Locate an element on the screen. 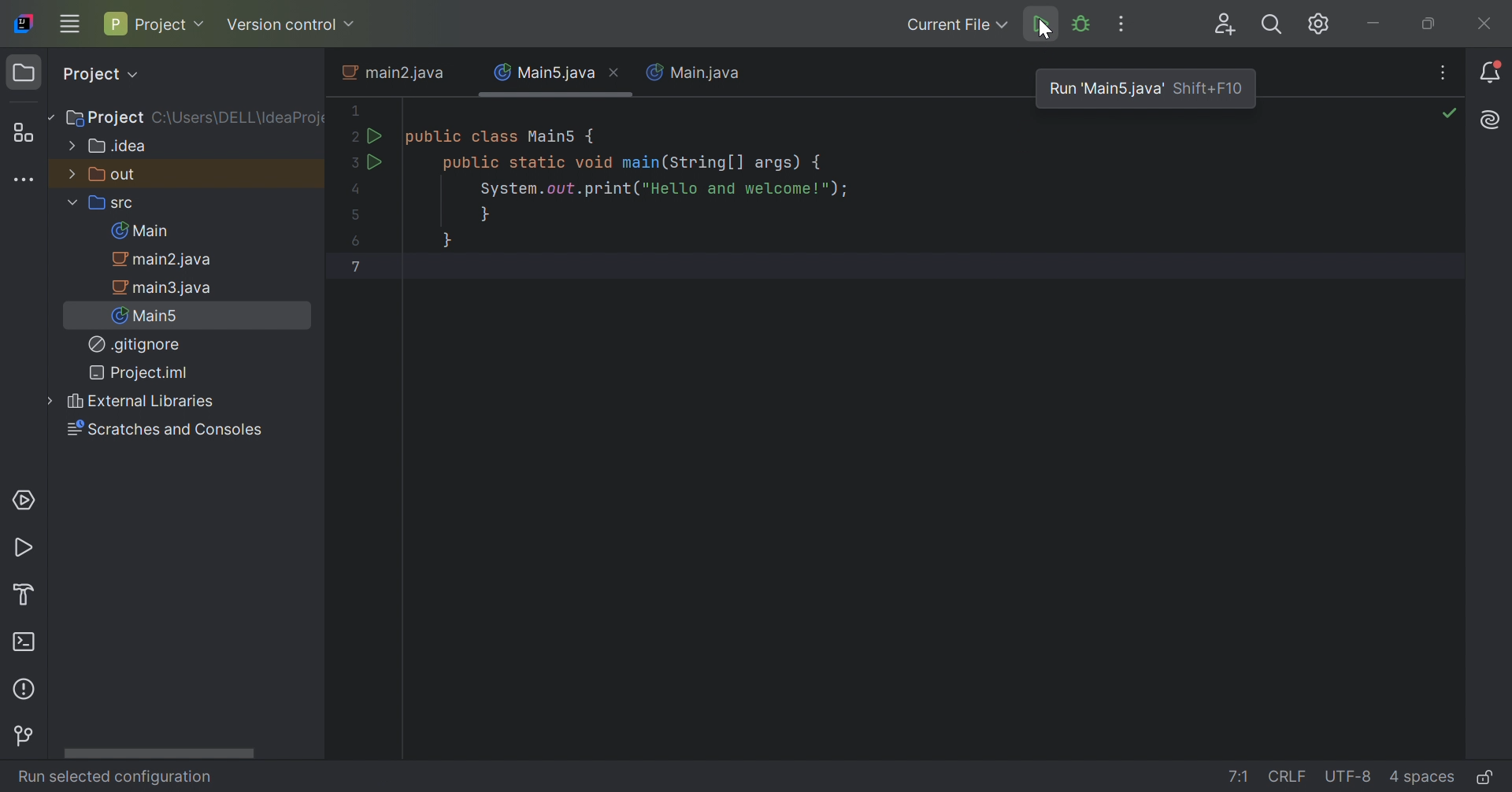 This screenshot has width=1512, height=792. System.out.print("Hello and welcome"); is located at coordinates (667, 190).